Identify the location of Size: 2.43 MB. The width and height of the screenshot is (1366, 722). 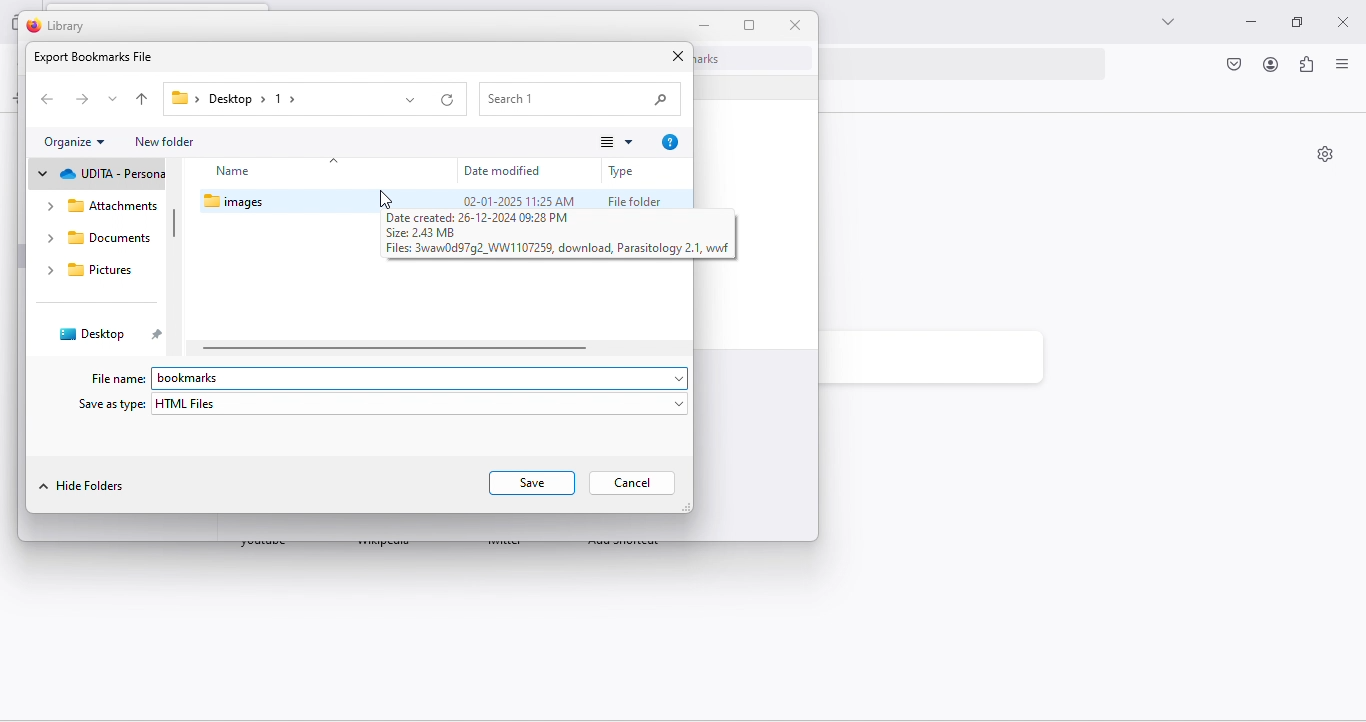
(432, 232).